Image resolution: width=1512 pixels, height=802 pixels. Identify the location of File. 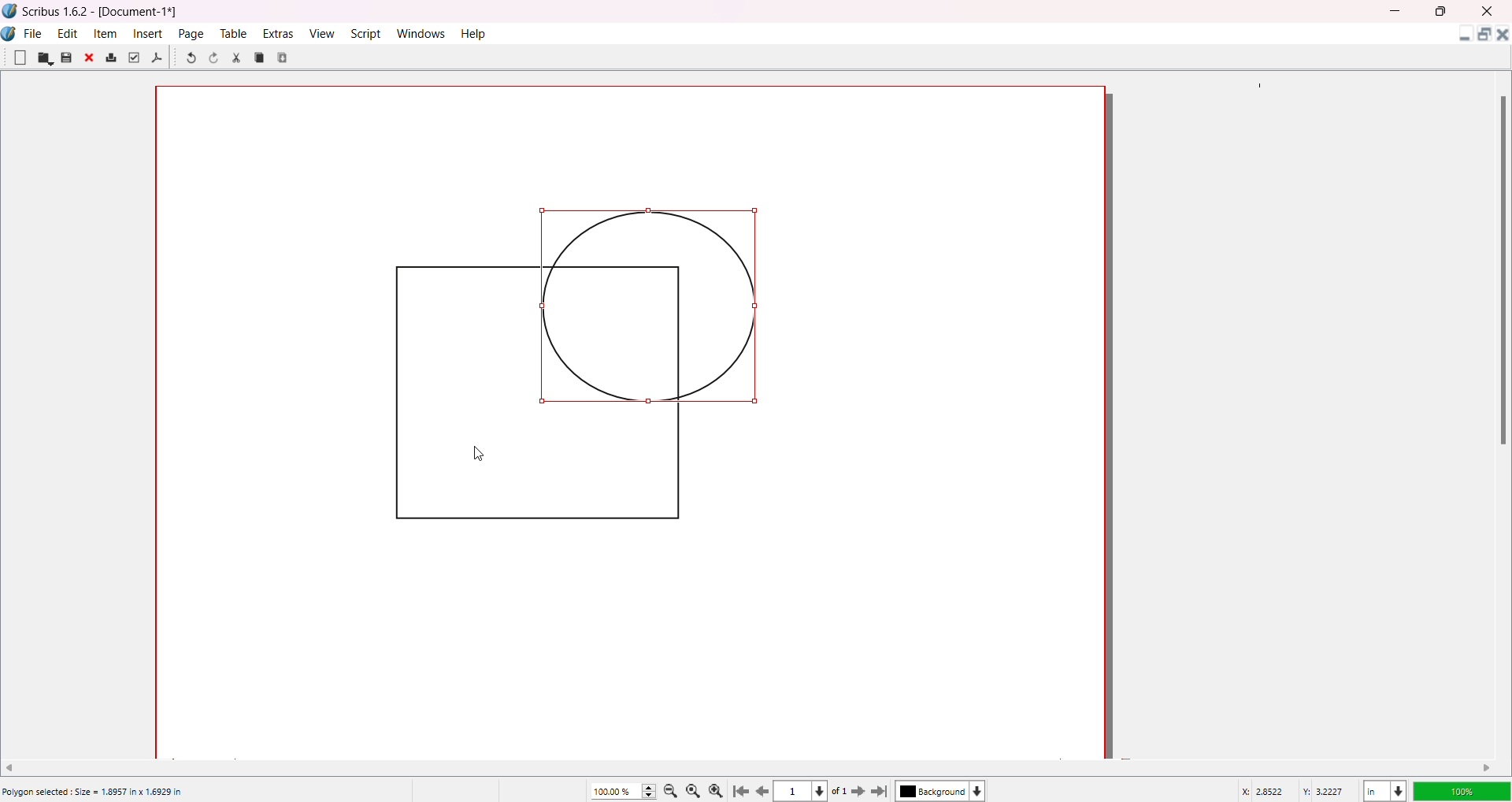
(34, 32).